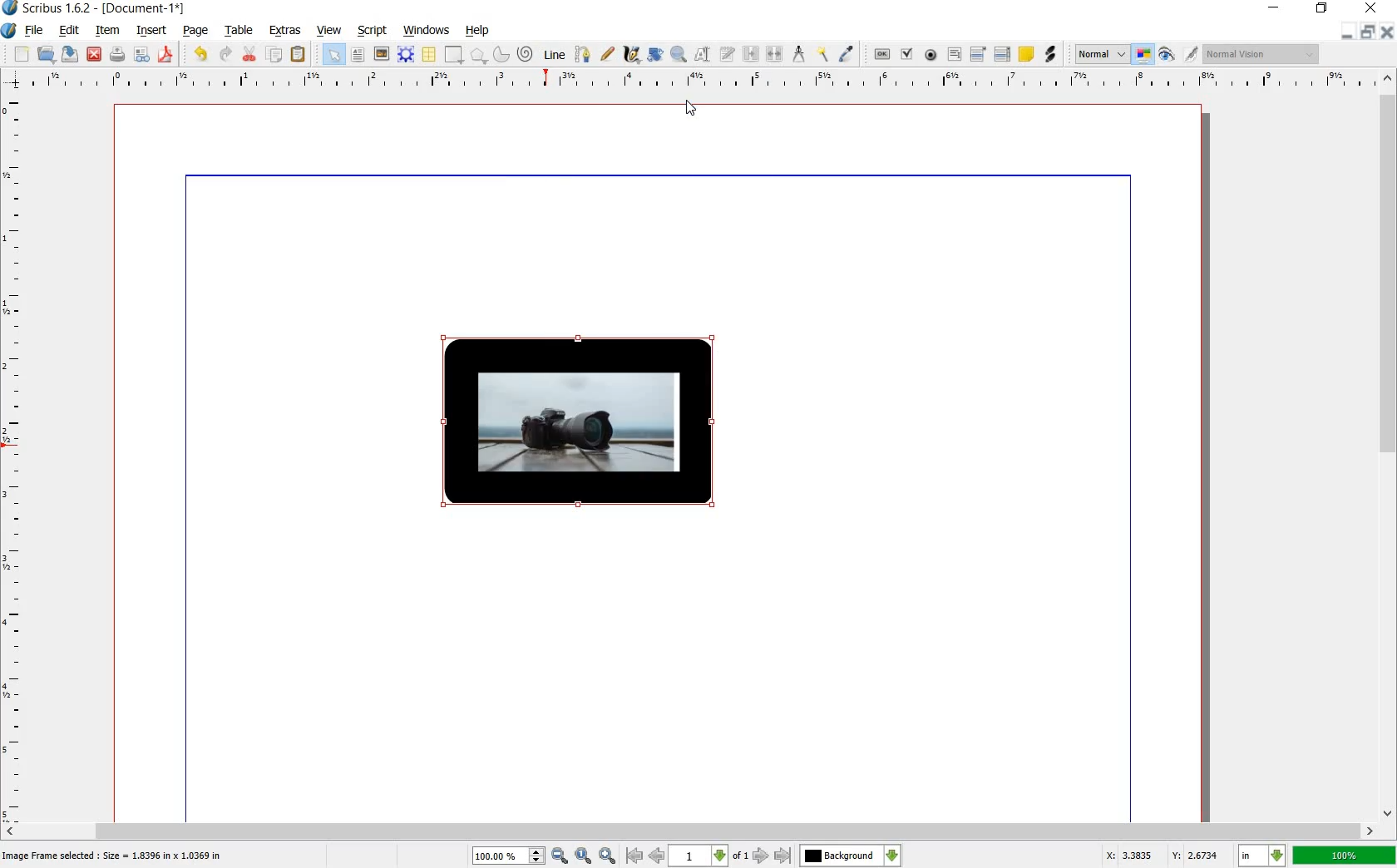 The image size is (1397, 868). What do you see at coordinates (847, 53) in the screenshot?
I see `eye dropper` at bounding box center [847, 53].